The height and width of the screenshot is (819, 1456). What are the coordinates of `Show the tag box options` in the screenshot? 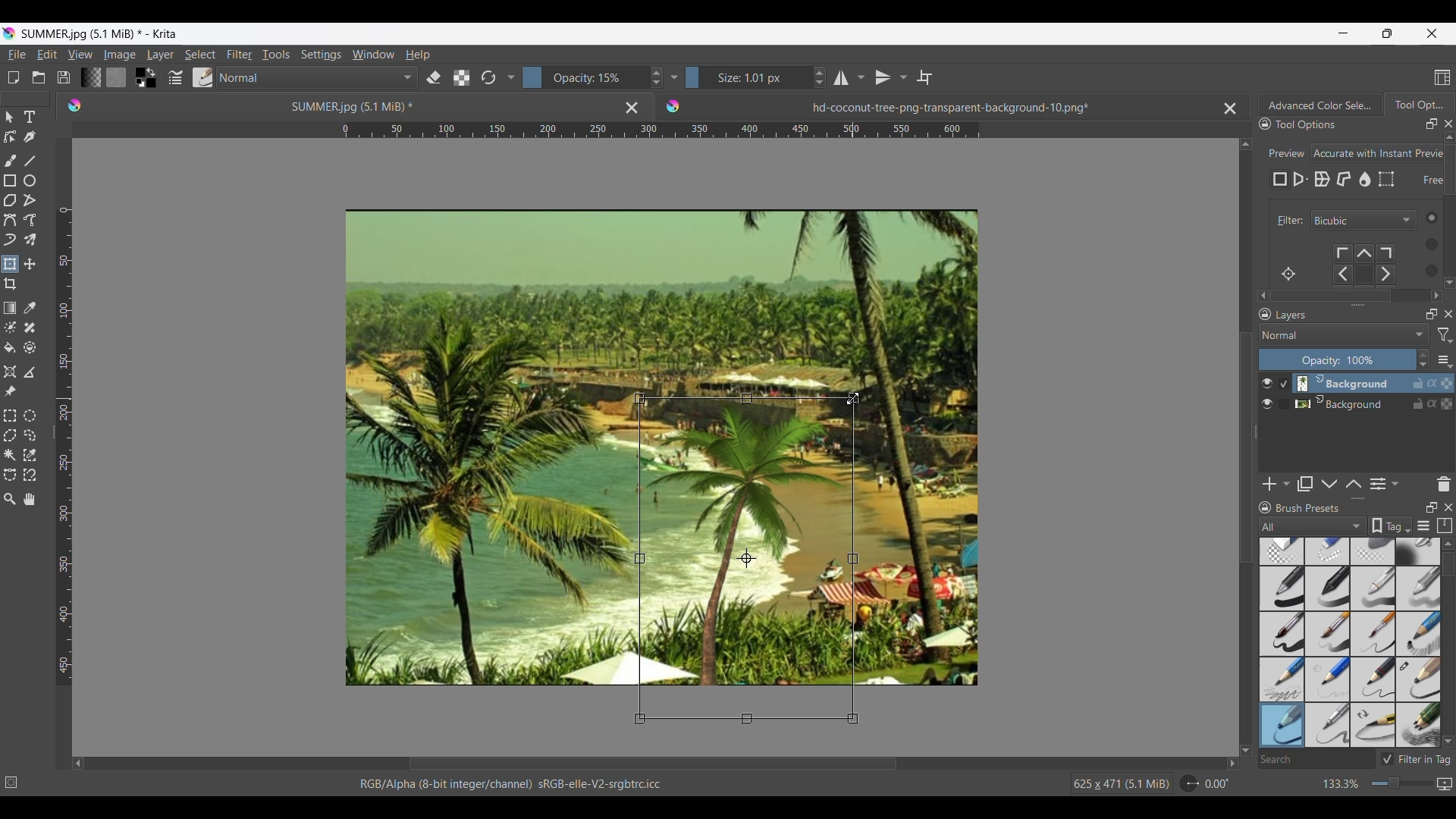 It's located at (1391, 526).